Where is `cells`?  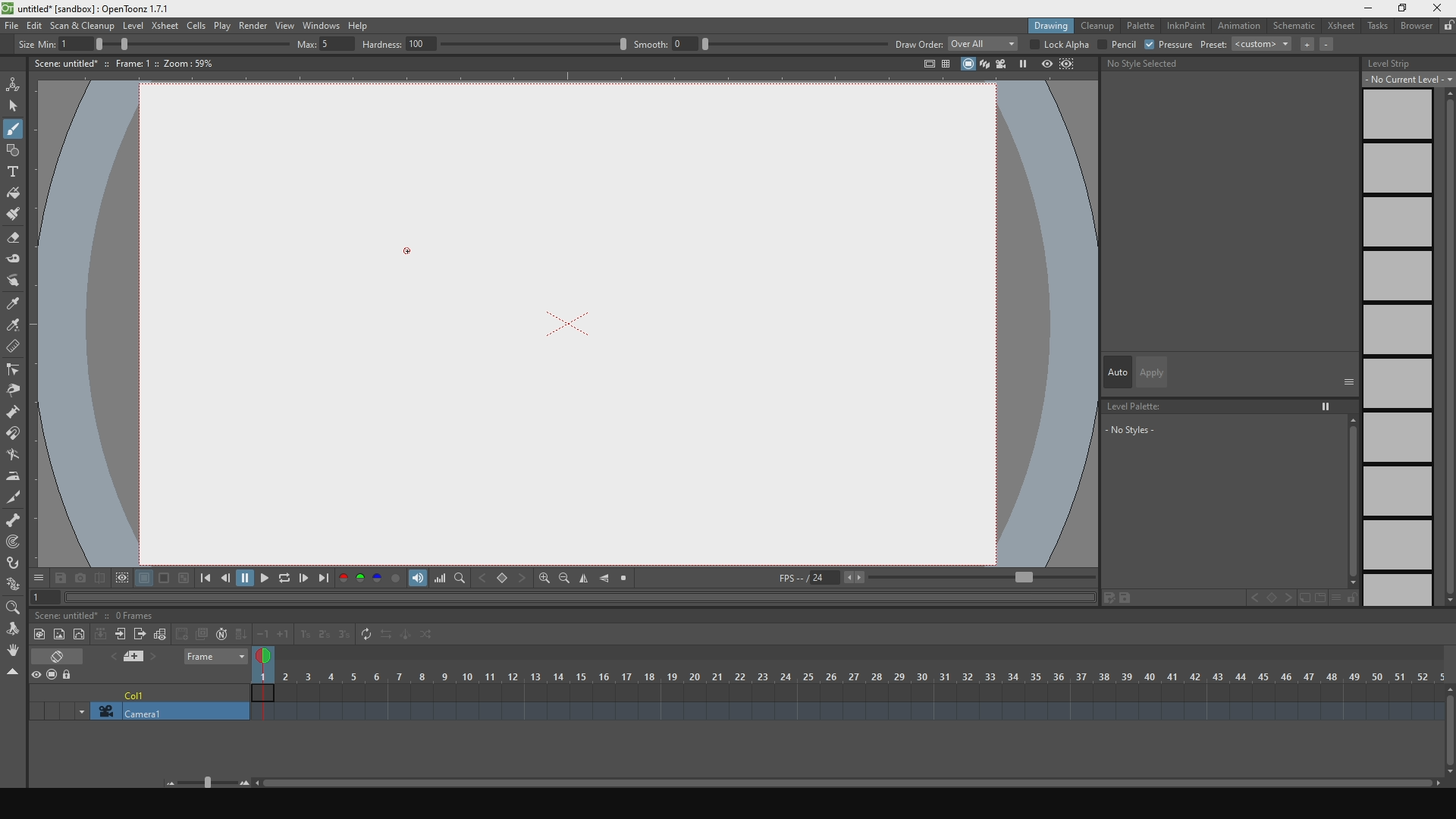
cells is located at coordinates (196, 26).